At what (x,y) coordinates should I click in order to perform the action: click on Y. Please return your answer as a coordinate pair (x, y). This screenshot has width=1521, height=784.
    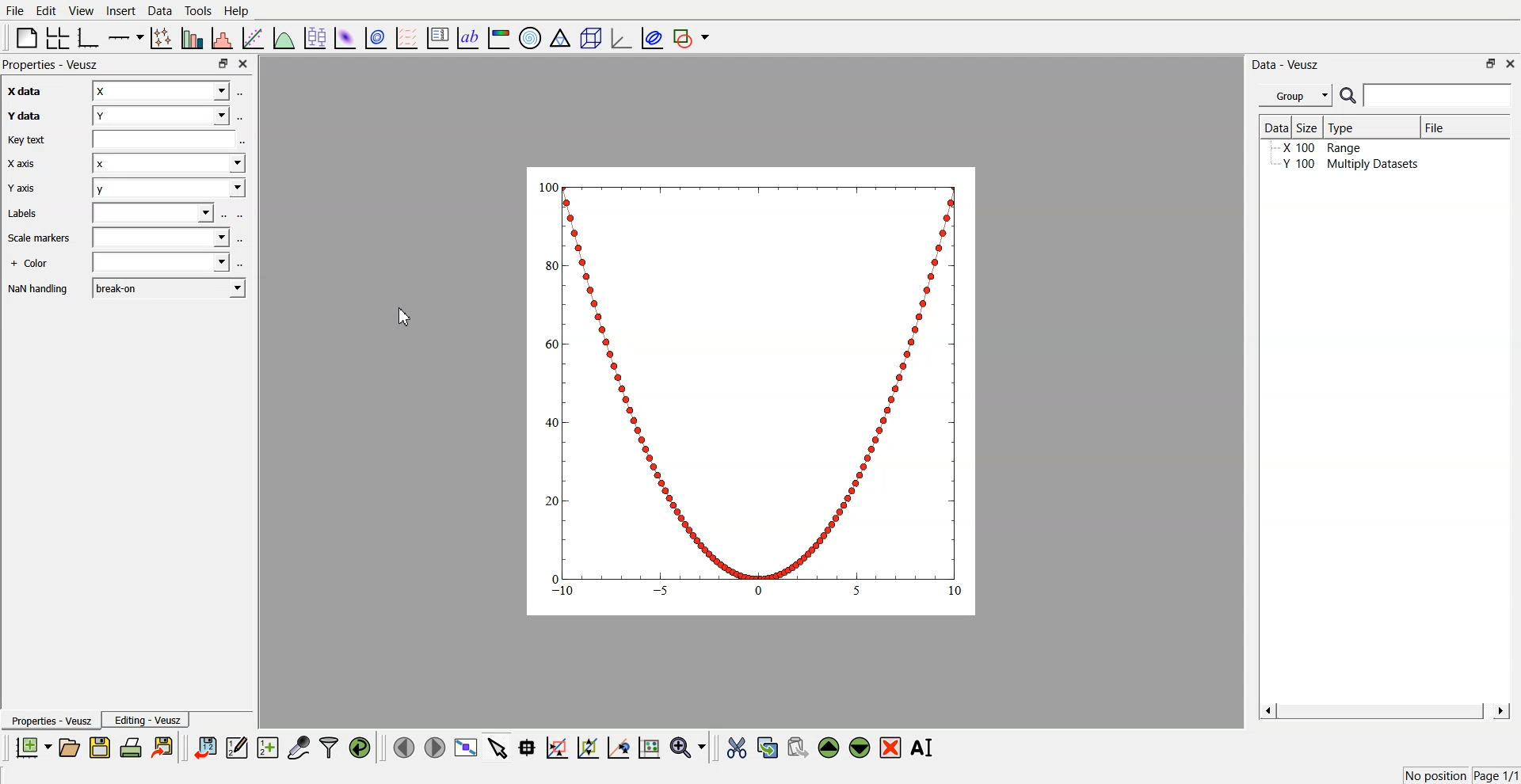
    Looking at the image, I should click on (162, 117).